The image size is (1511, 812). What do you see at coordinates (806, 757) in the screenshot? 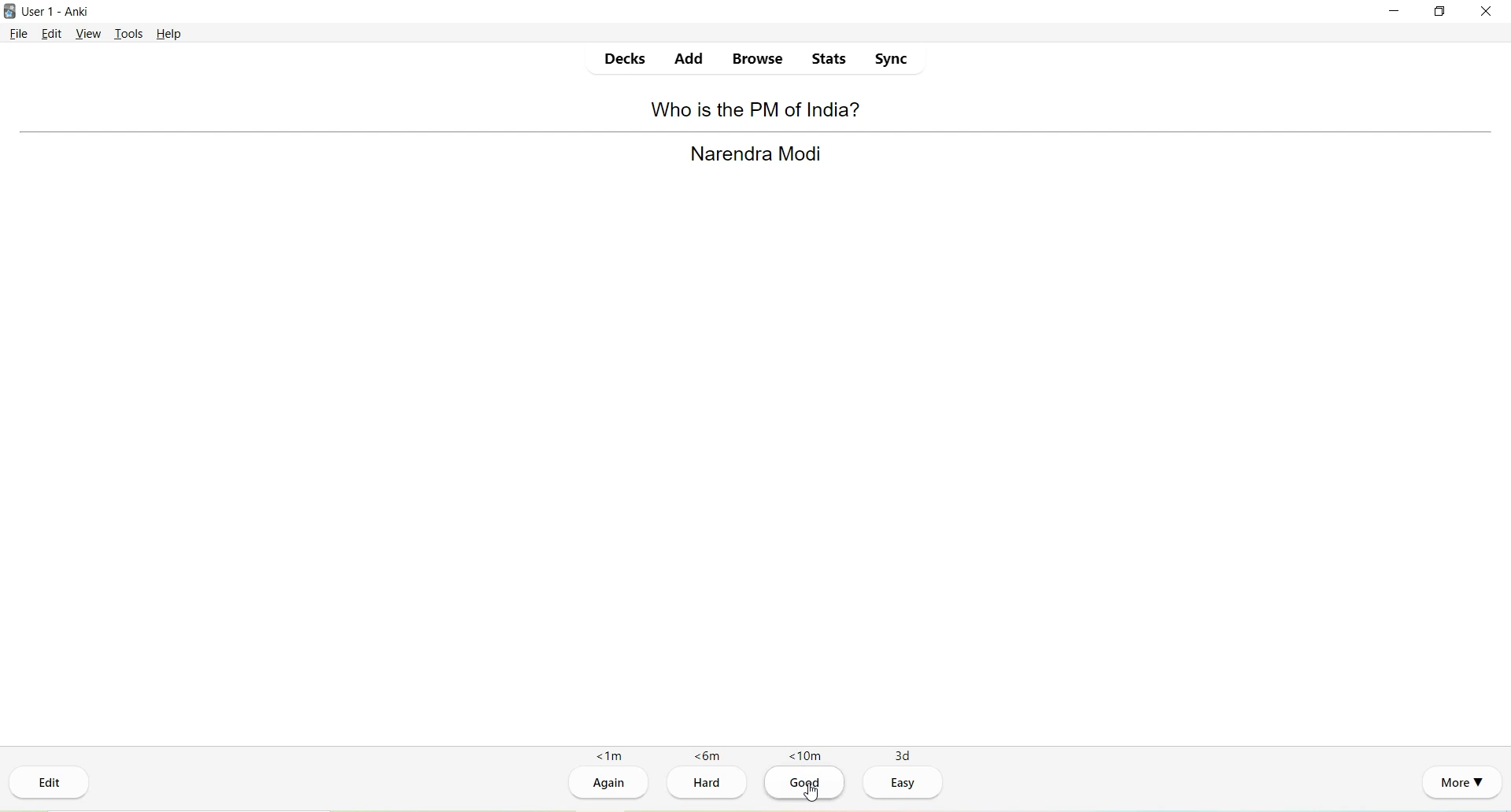
I see `<10m` at bounding box center [806, 757].